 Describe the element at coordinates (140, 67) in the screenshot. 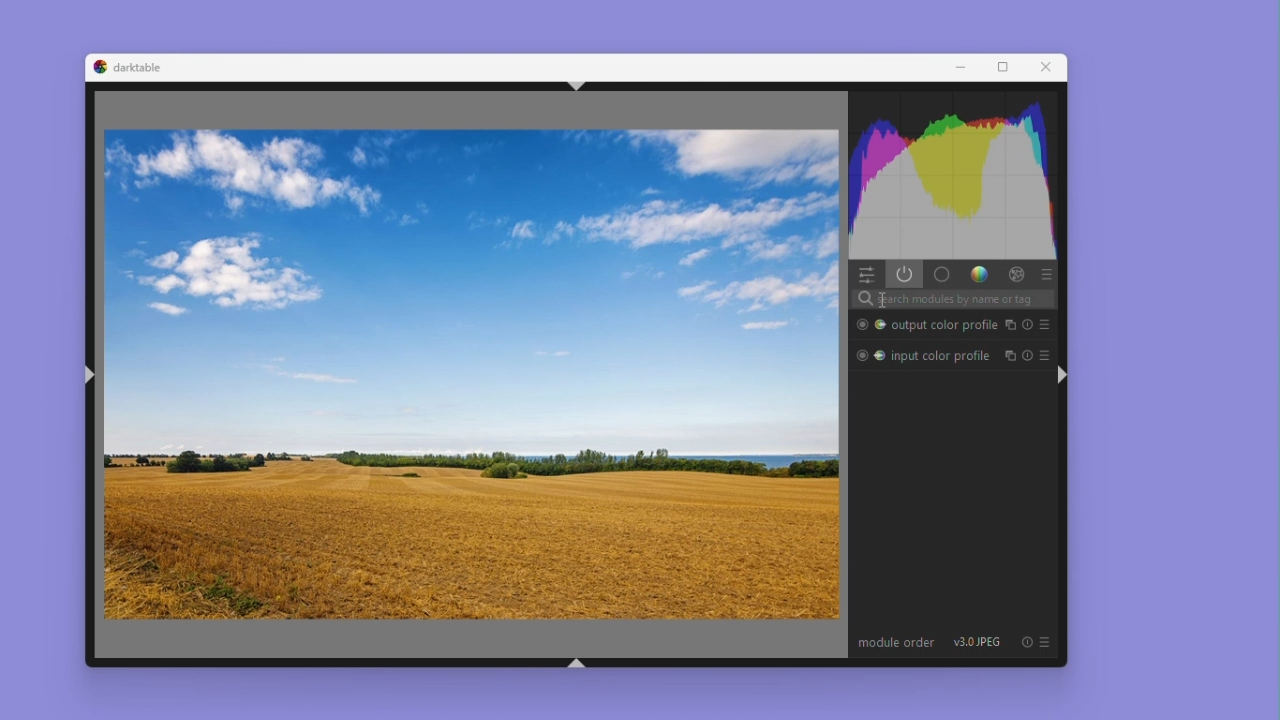

I see `darktable` at that location.